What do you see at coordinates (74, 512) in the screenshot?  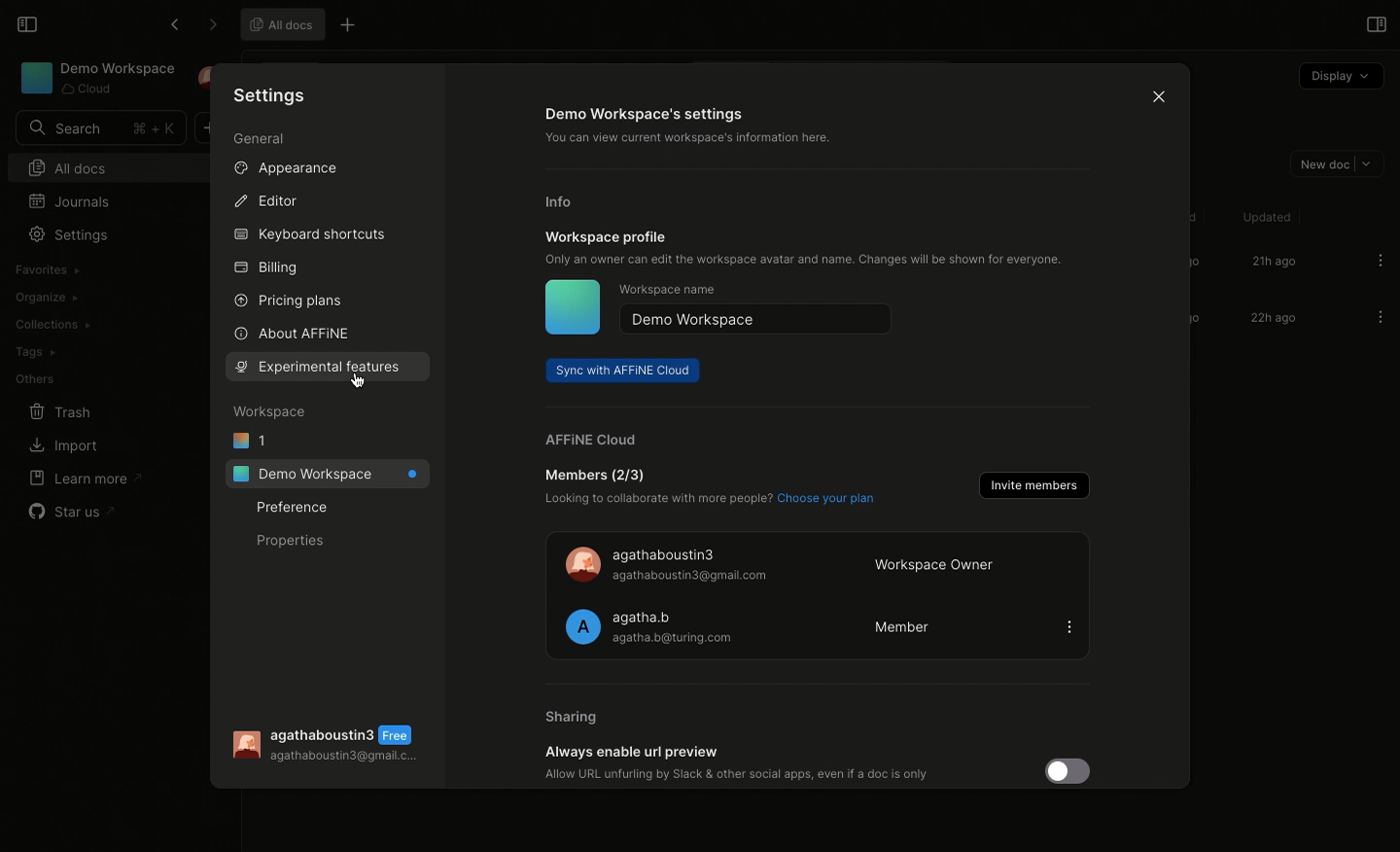 I see `Star us` at bounding box center [74, 512].